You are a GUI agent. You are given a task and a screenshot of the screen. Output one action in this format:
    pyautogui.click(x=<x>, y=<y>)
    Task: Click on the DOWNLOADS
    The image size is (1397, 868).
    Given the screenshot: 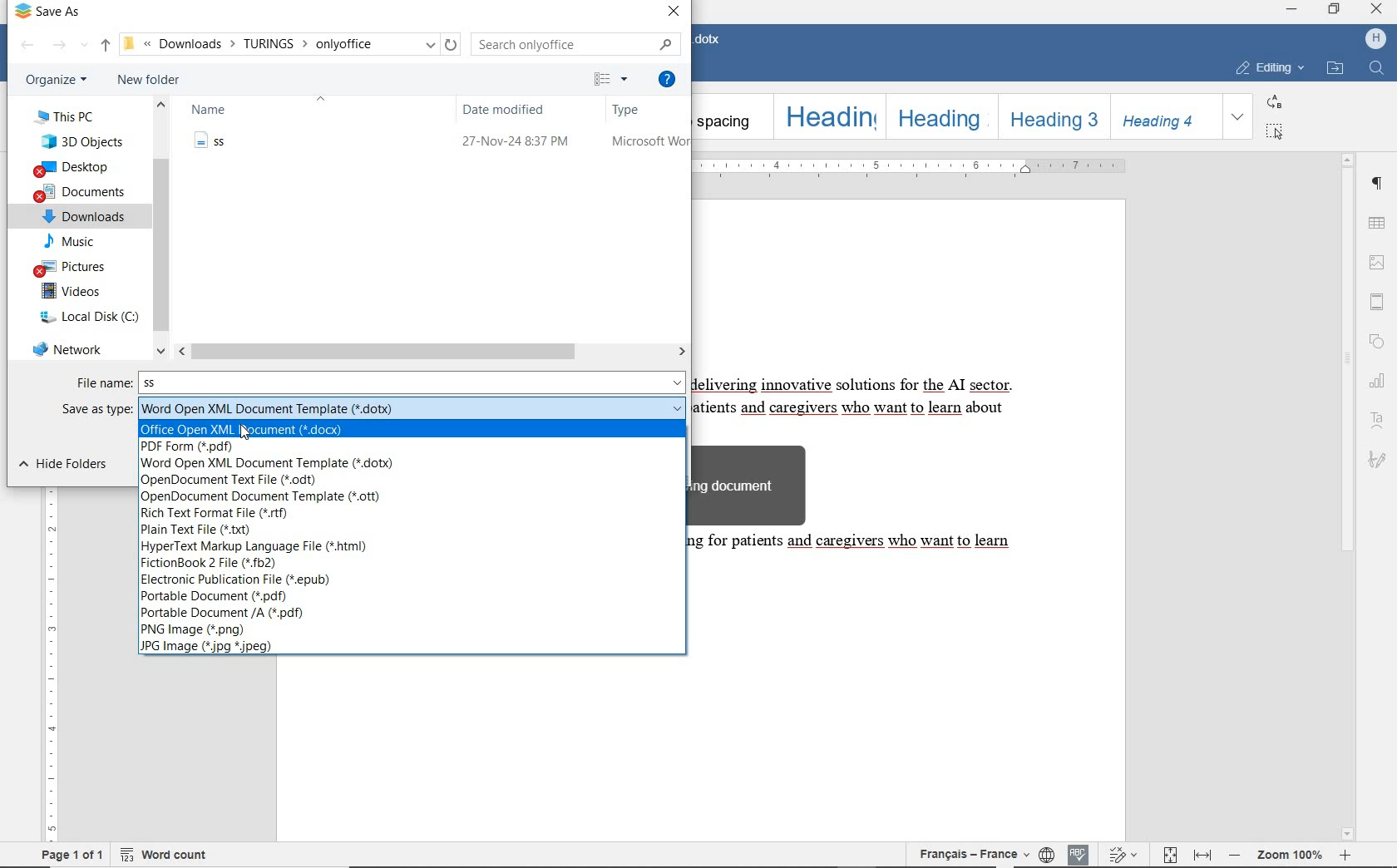 What is the action you would take?
    pyautogui.click(x=82, y=217)
    